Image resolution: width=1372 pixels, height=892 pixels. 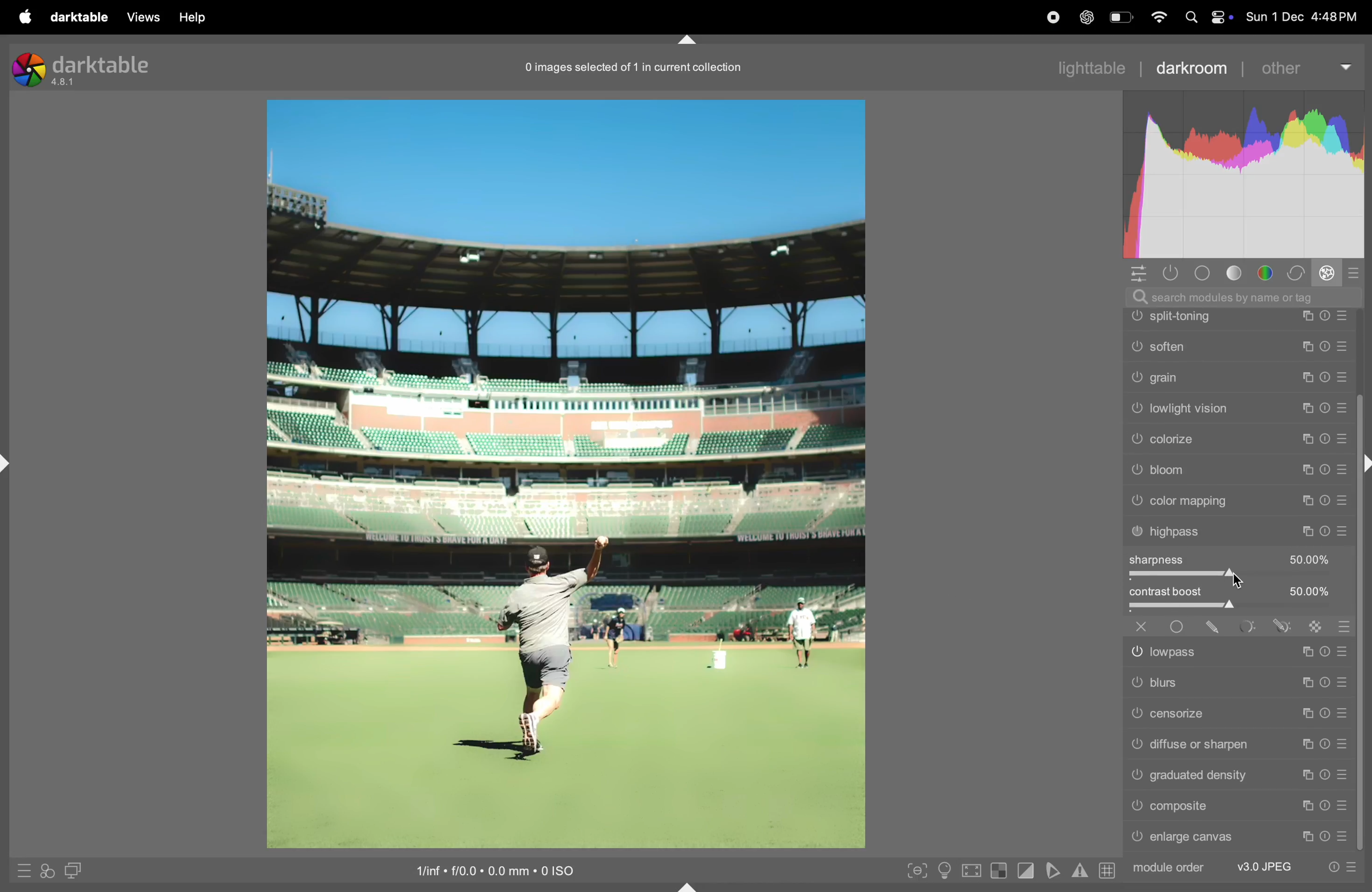 What do you see at coordinates (1238, 316) in the screenshot?
I see `watermark` at bounding box center [1238, 316].